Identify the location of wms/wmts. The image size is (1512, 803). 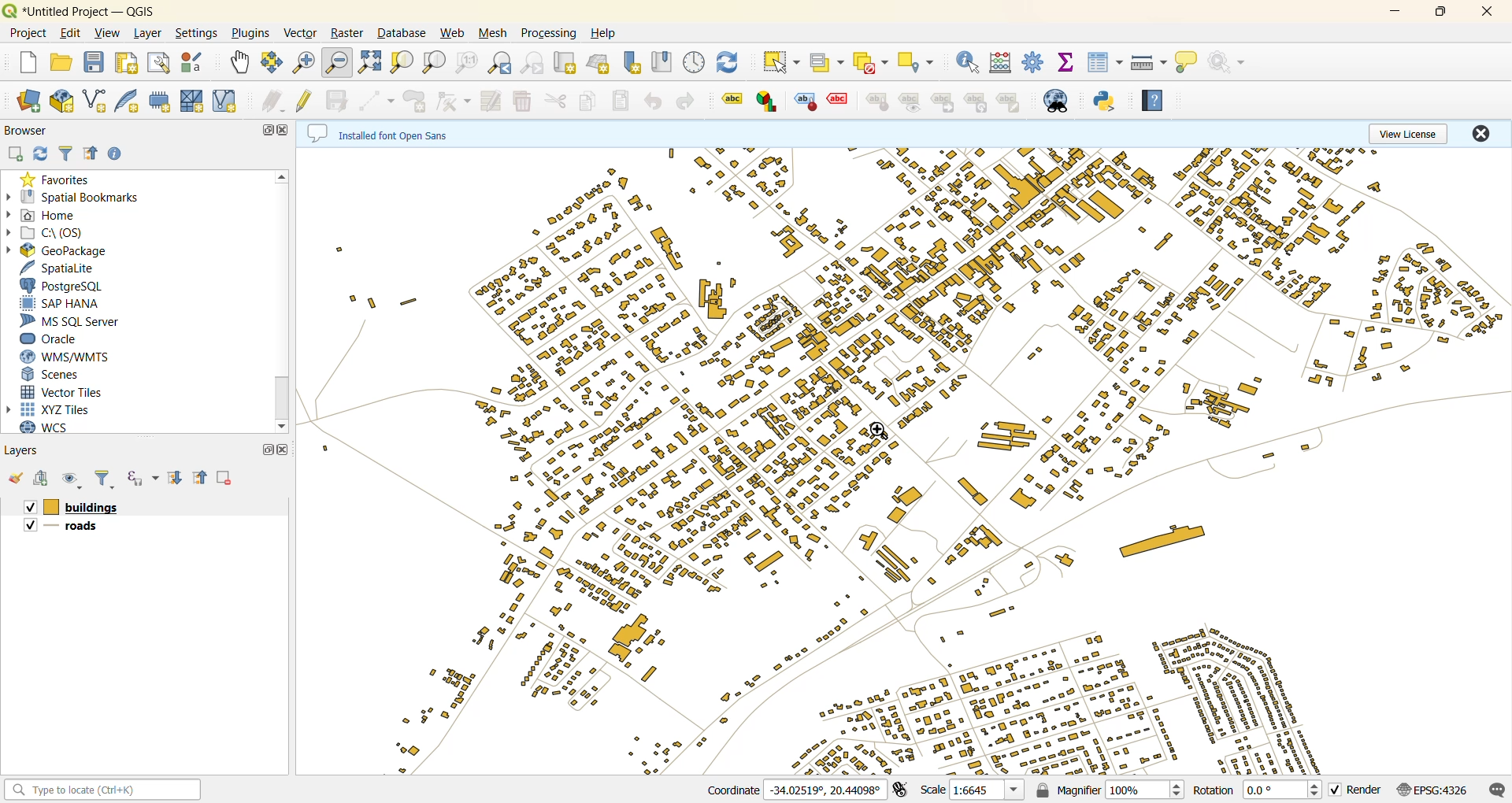
(76, 357).